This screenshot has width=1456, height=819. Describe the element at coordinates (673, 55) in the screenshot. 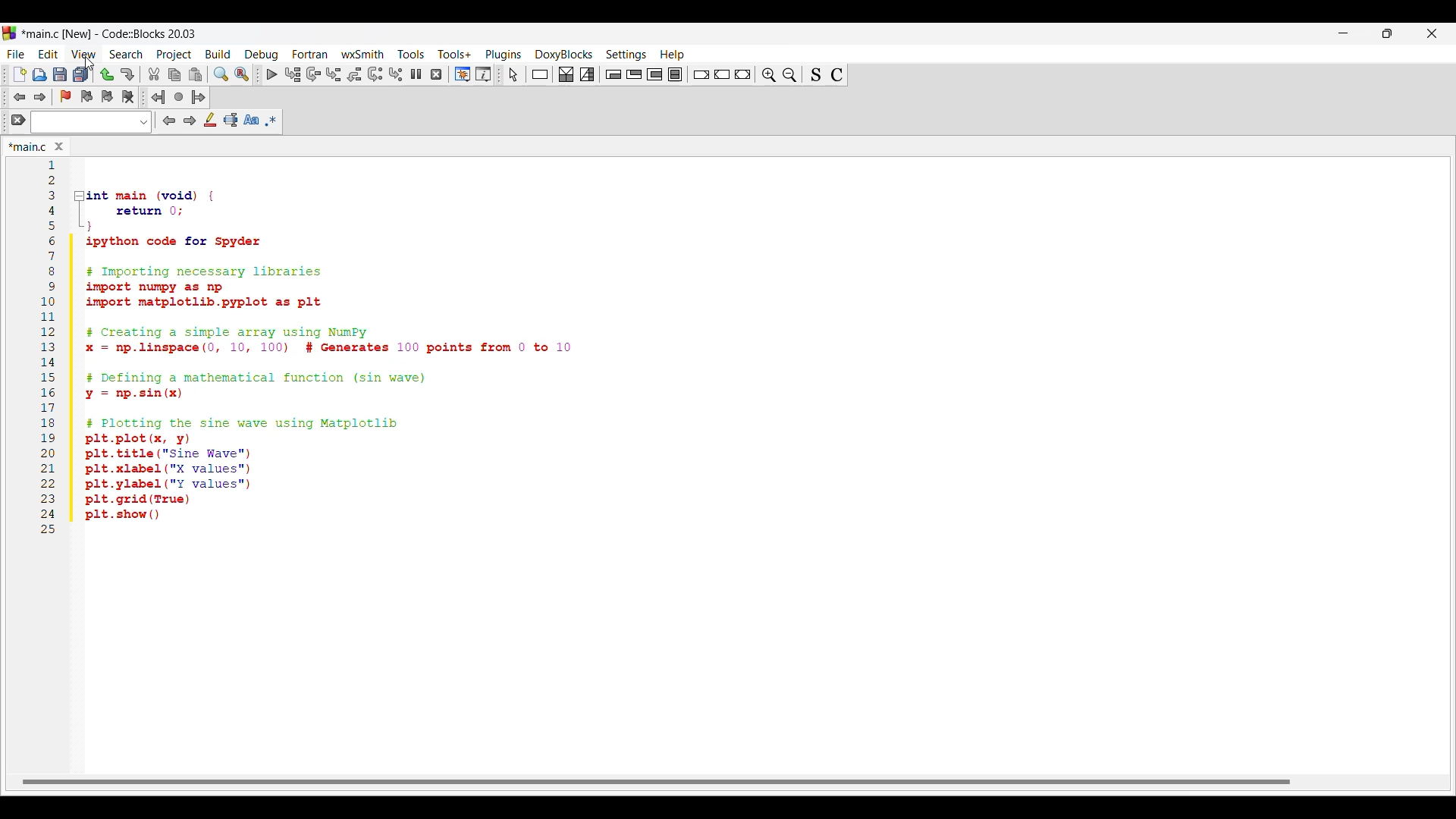

I see `Help menu` at that location.